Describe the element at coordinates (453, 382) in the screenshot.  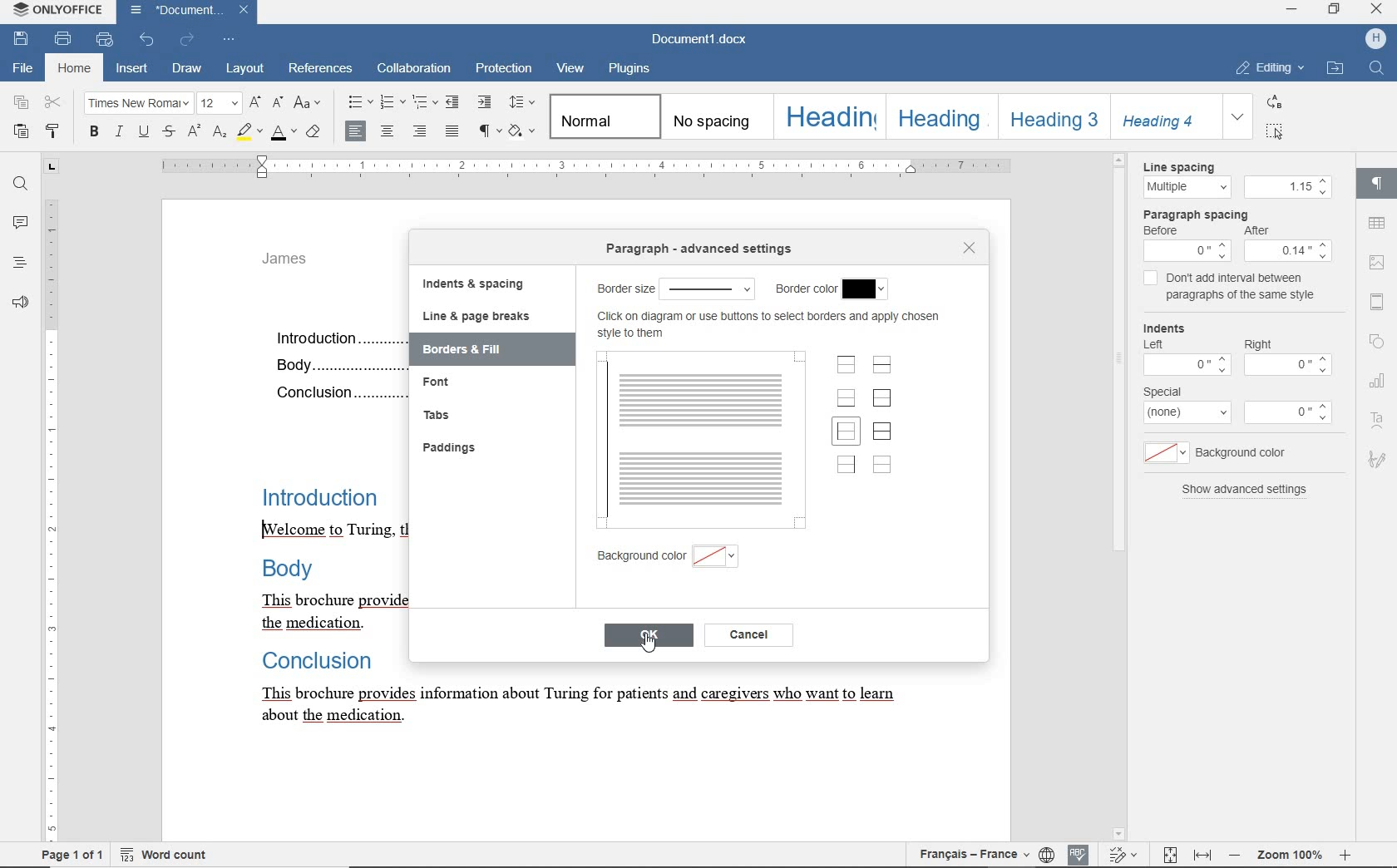
I see `font` at that location.